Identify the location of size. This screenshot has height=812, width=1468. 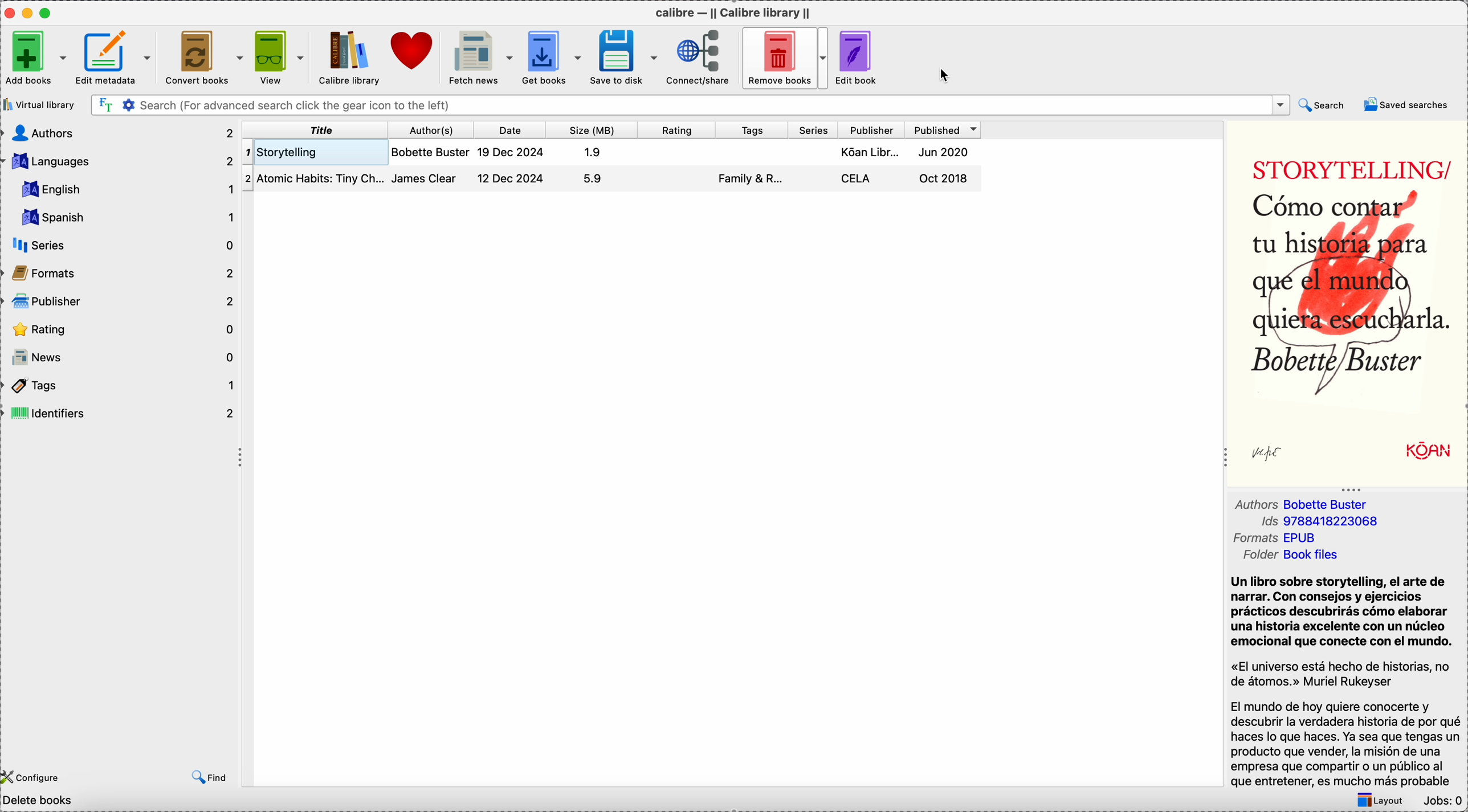
(591, 130).